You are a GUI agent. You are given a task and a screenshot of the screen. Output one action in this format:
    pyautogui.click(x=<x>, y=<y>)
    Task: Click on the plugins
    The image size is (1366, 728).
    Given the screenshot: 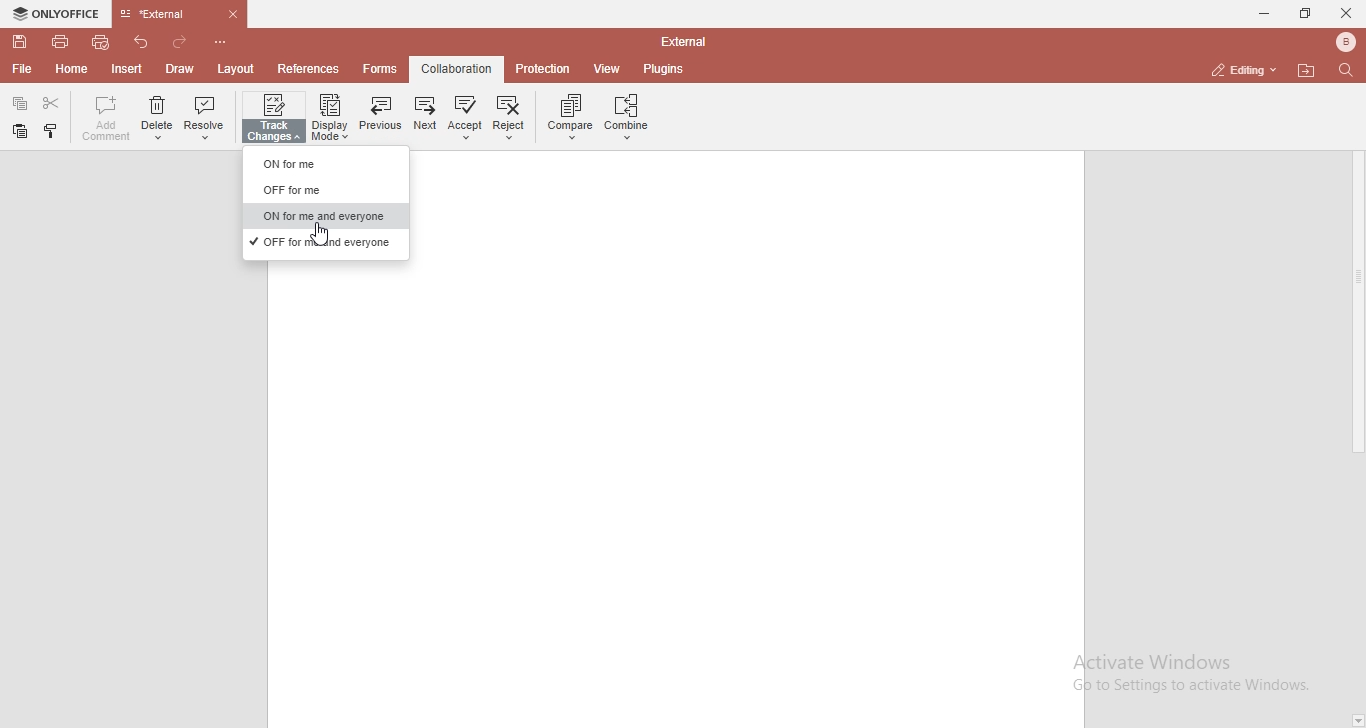 What is the action you would take?
    pyautogui.click(x=664, y=70)
    